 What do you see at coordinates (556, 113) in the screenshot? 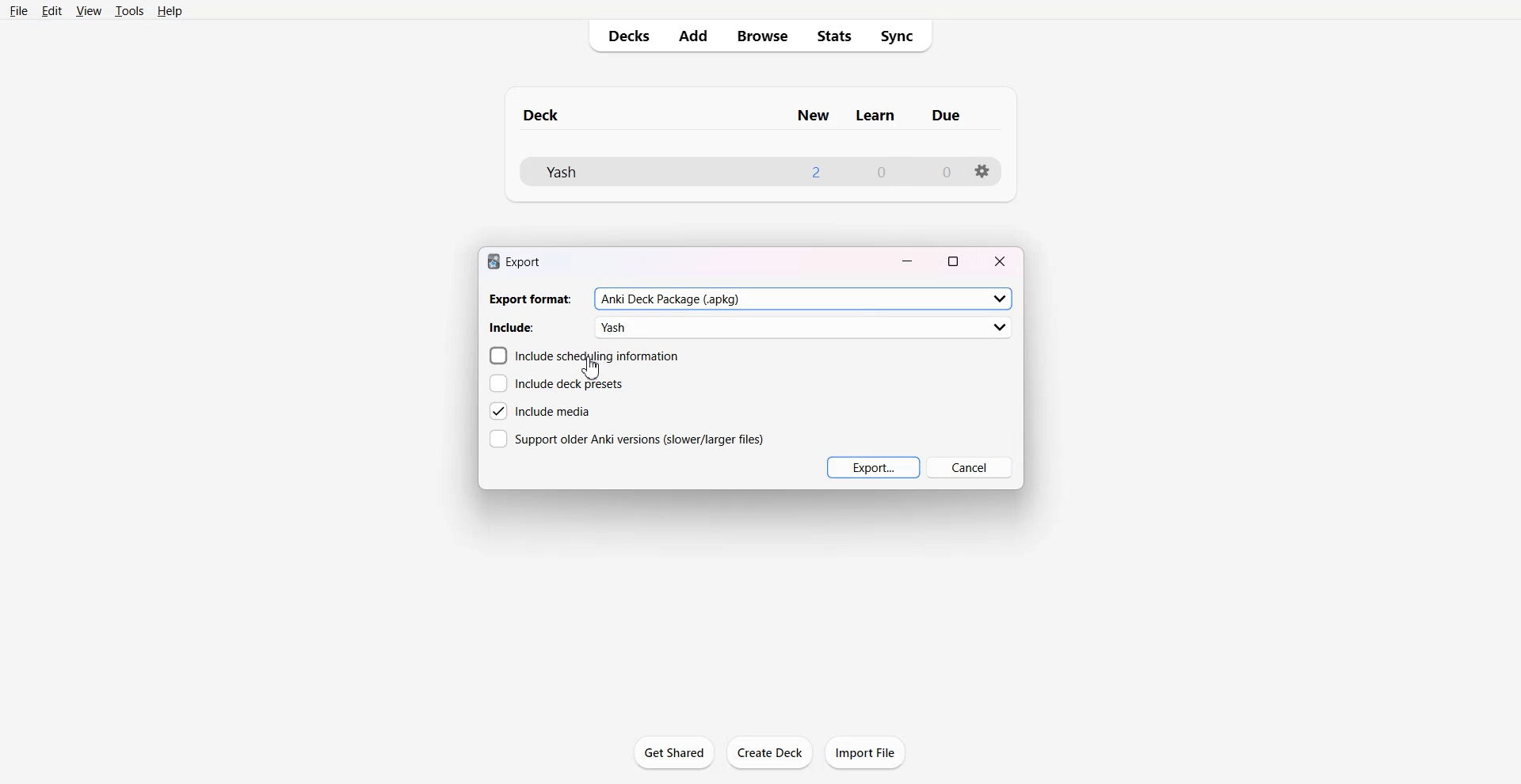
I see `deck` at bounding box center [556, 113].